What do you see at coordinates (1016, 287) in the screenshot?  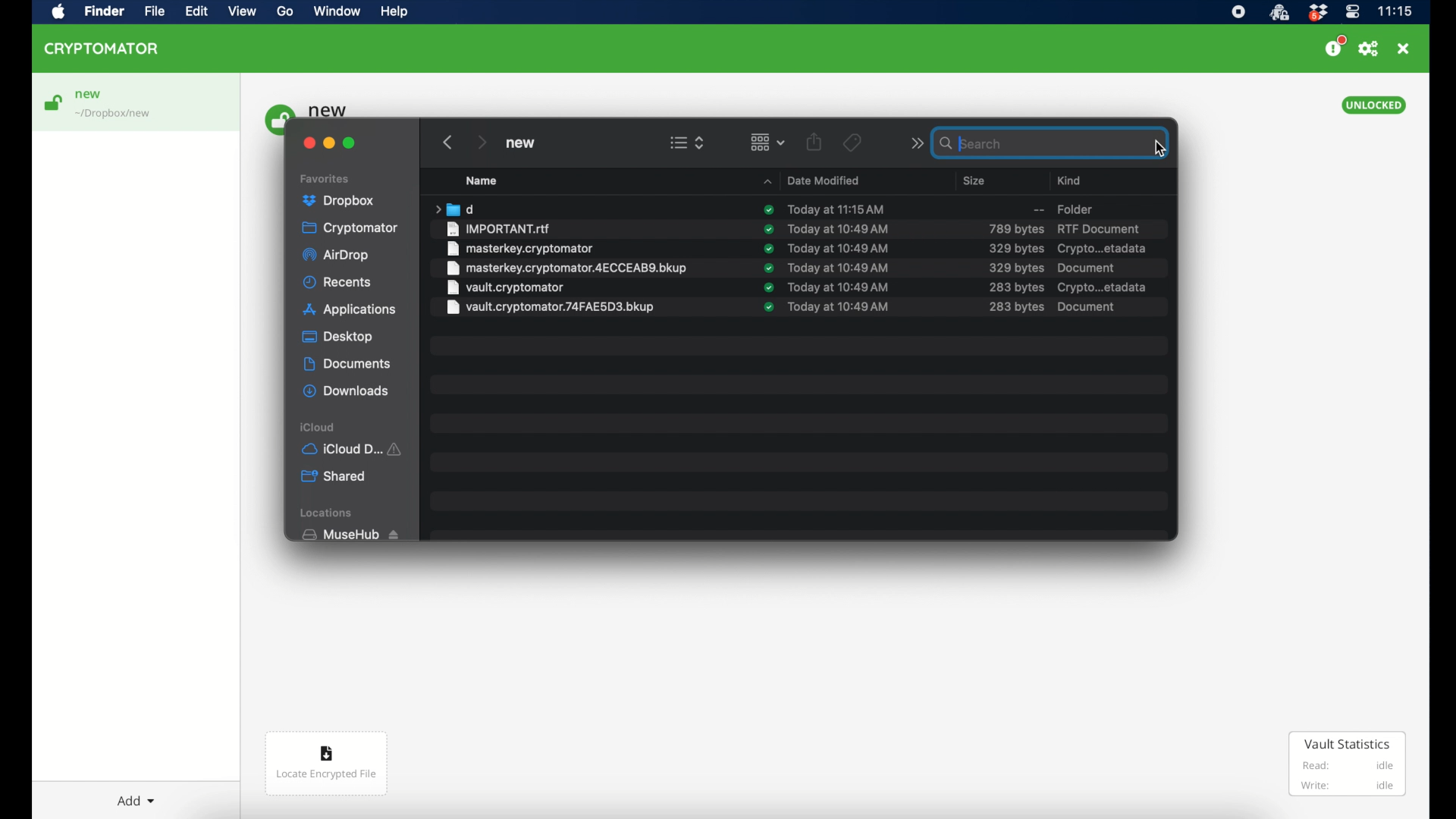 I see `size` at bounding box center [1016, 287].